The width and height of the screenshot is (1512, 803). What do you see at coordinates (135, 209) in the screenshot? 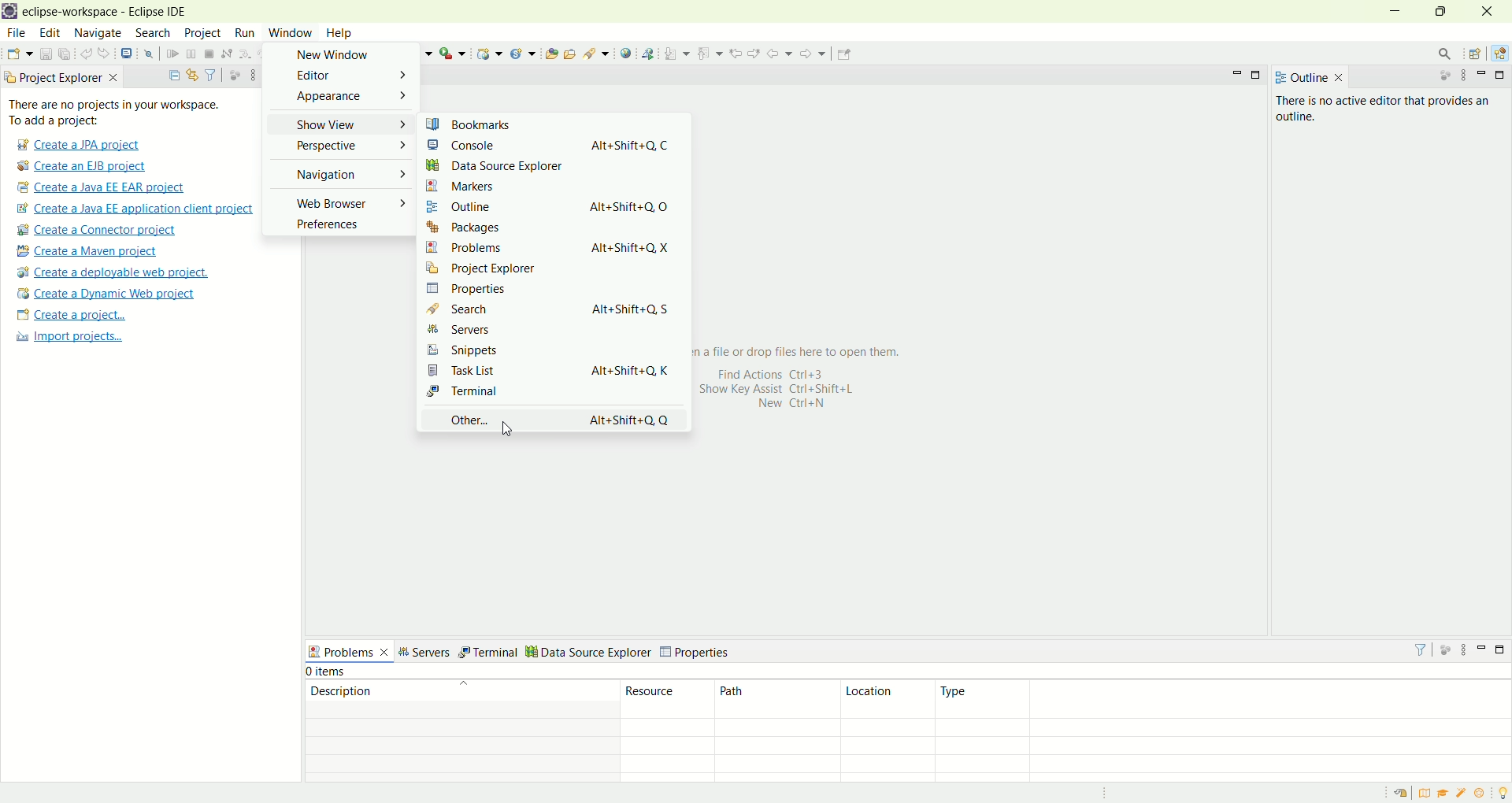
I see `create a Java EE application client project` at bounding box center [135, 209].